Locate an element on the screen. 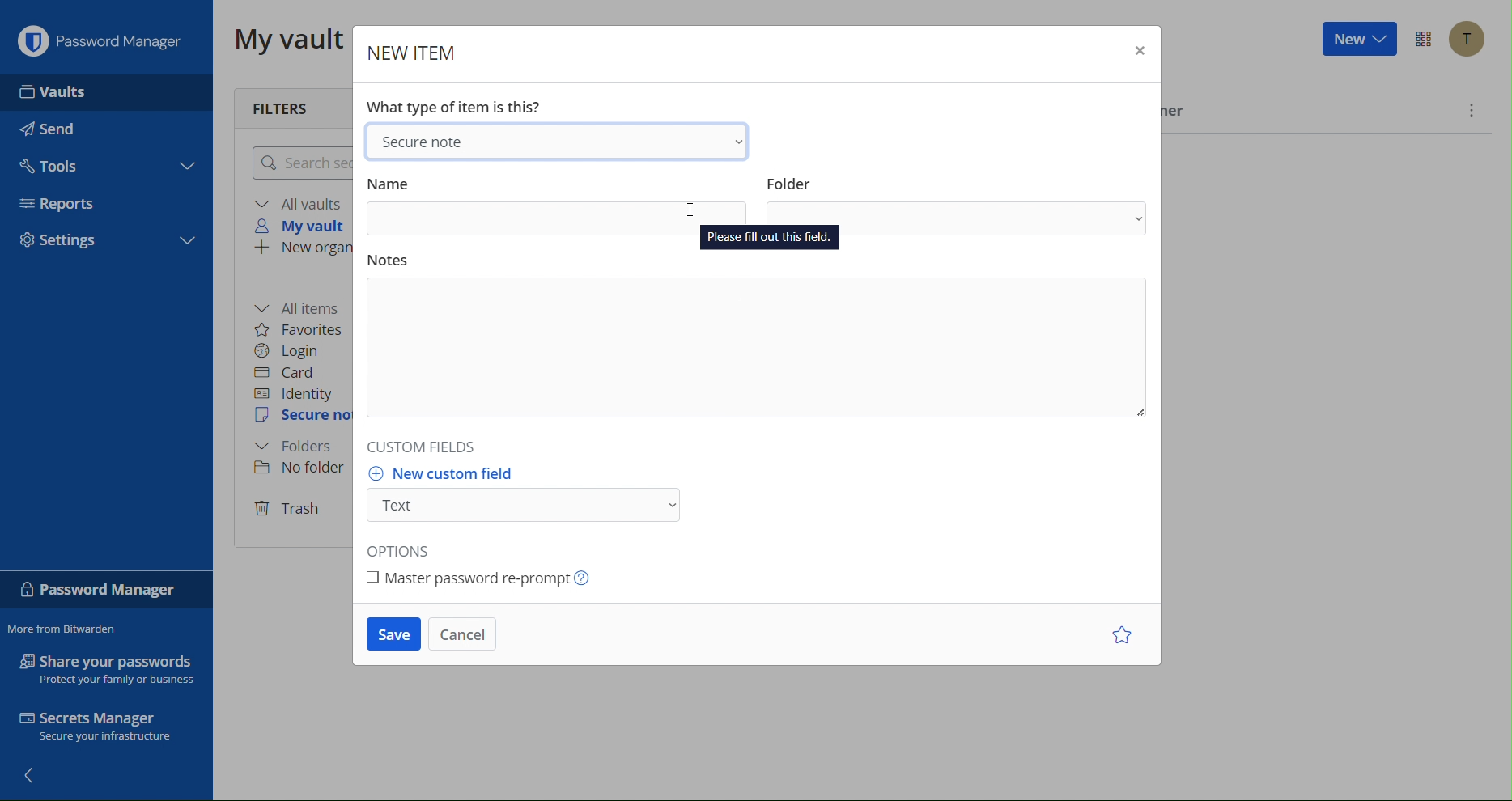  Options is located at coordinates (1421, 40).